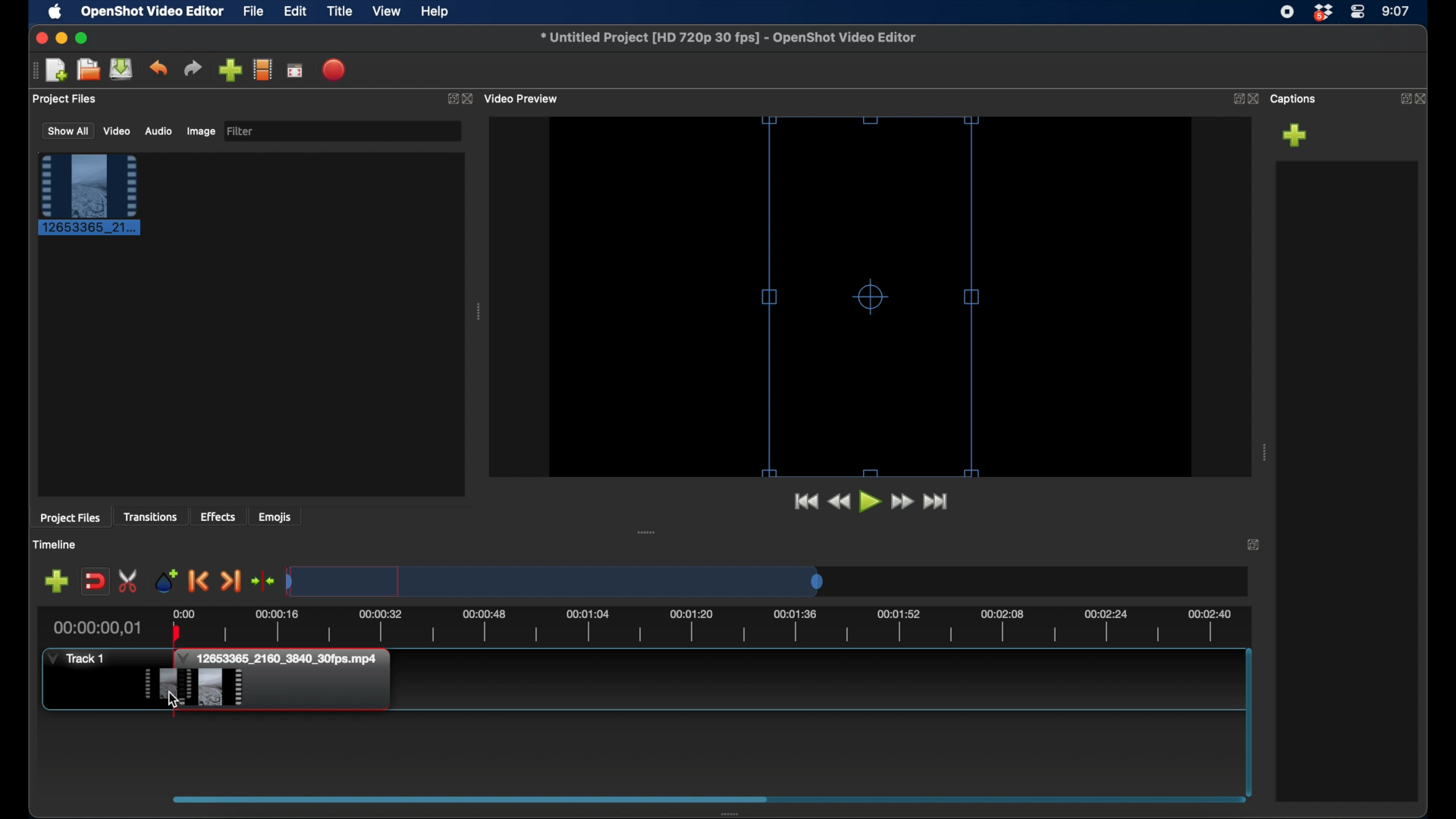  What do you see at coordinates (30, 71) in the screenshot?
I see `drag handle` at bounding box center [30, 71].